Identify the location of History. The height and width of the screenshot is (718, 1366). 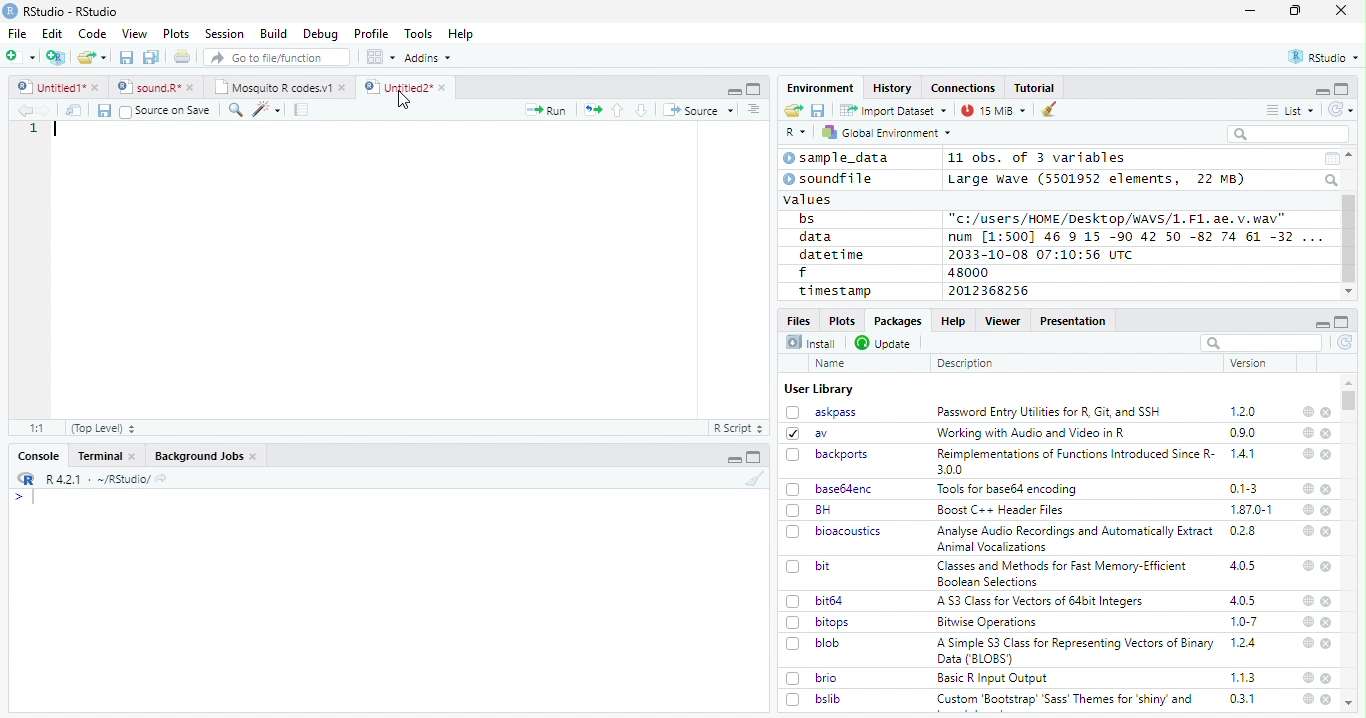
(893, 88).